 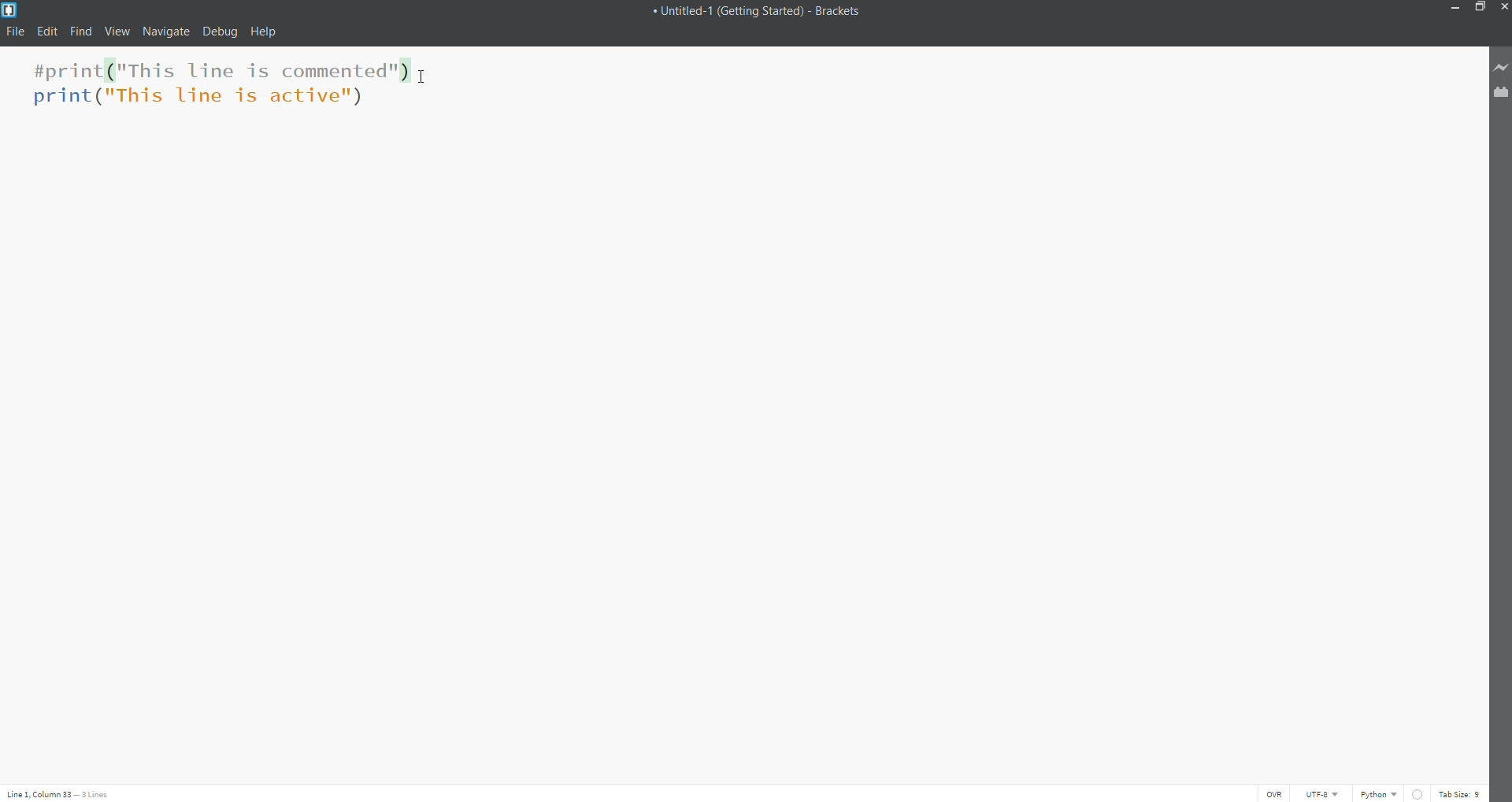 I want to click on Line and Column, so click(x=61, y=793).